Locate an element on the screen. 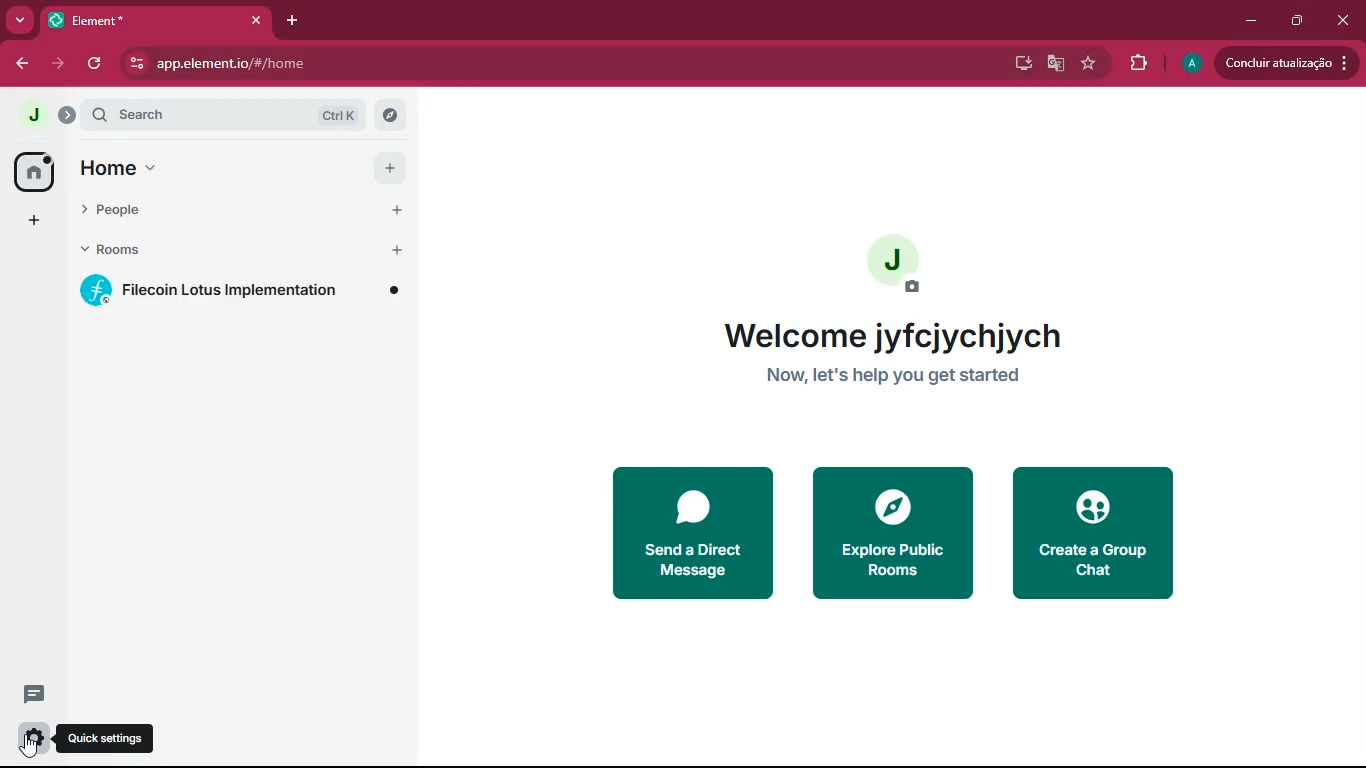 The height and width of the screenshot is (768, 1366). profile picture is located at coordinates (32, 115).